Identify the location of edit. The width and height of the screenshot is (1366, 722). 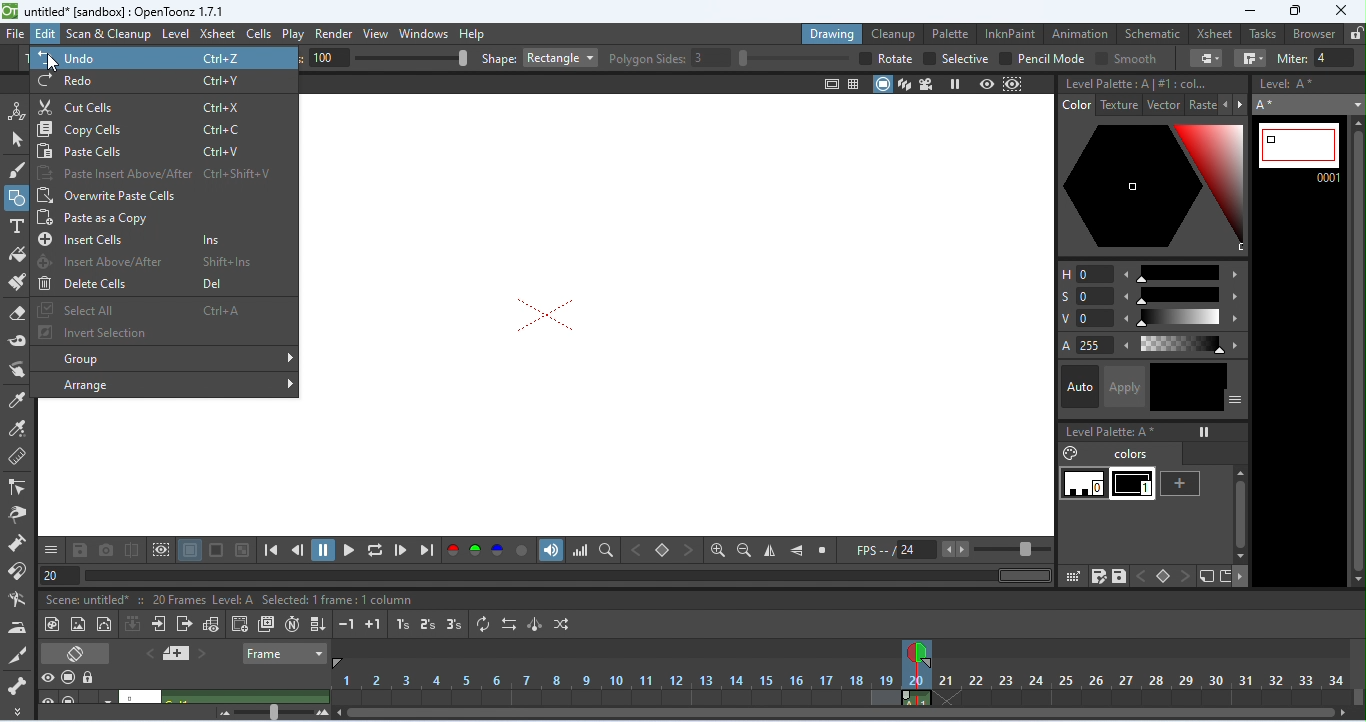
(44, 35).